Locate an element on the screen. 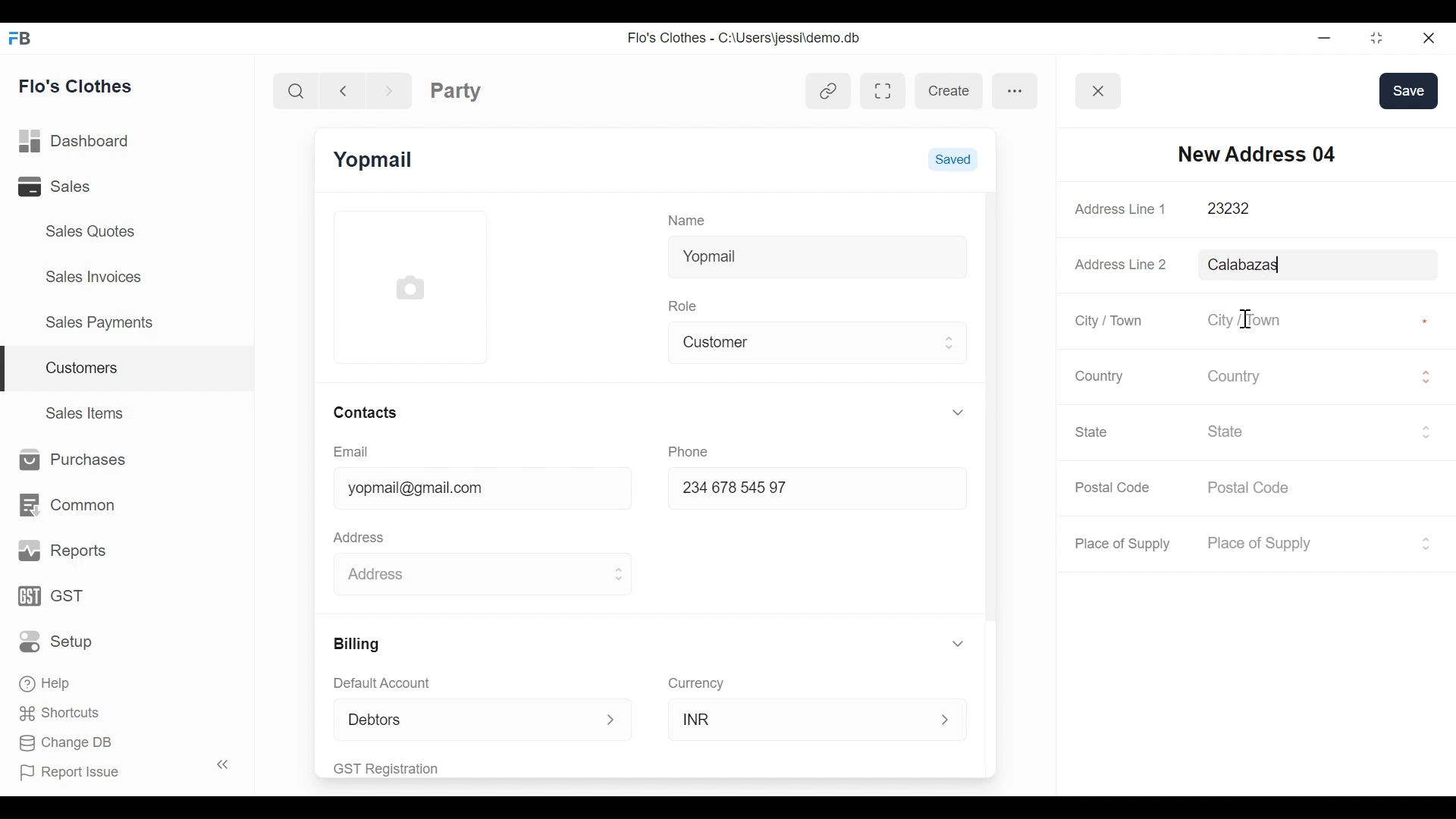 The height and width of the screenshot is (819, 1456). Contacts is located at coordinates (364, 412).